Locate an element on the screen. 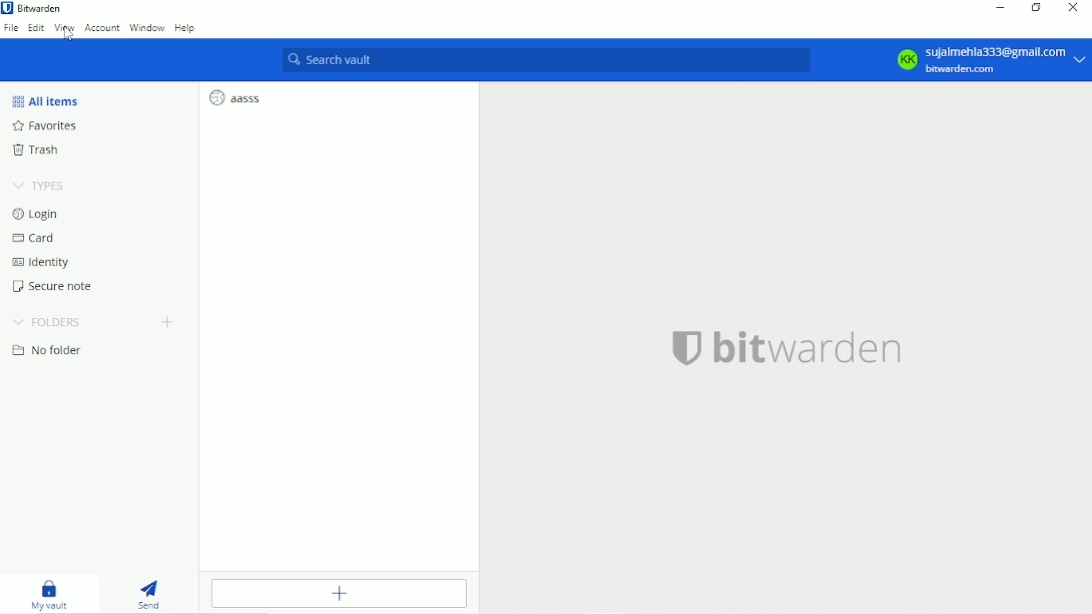  View is located at coordinates (64, 29).